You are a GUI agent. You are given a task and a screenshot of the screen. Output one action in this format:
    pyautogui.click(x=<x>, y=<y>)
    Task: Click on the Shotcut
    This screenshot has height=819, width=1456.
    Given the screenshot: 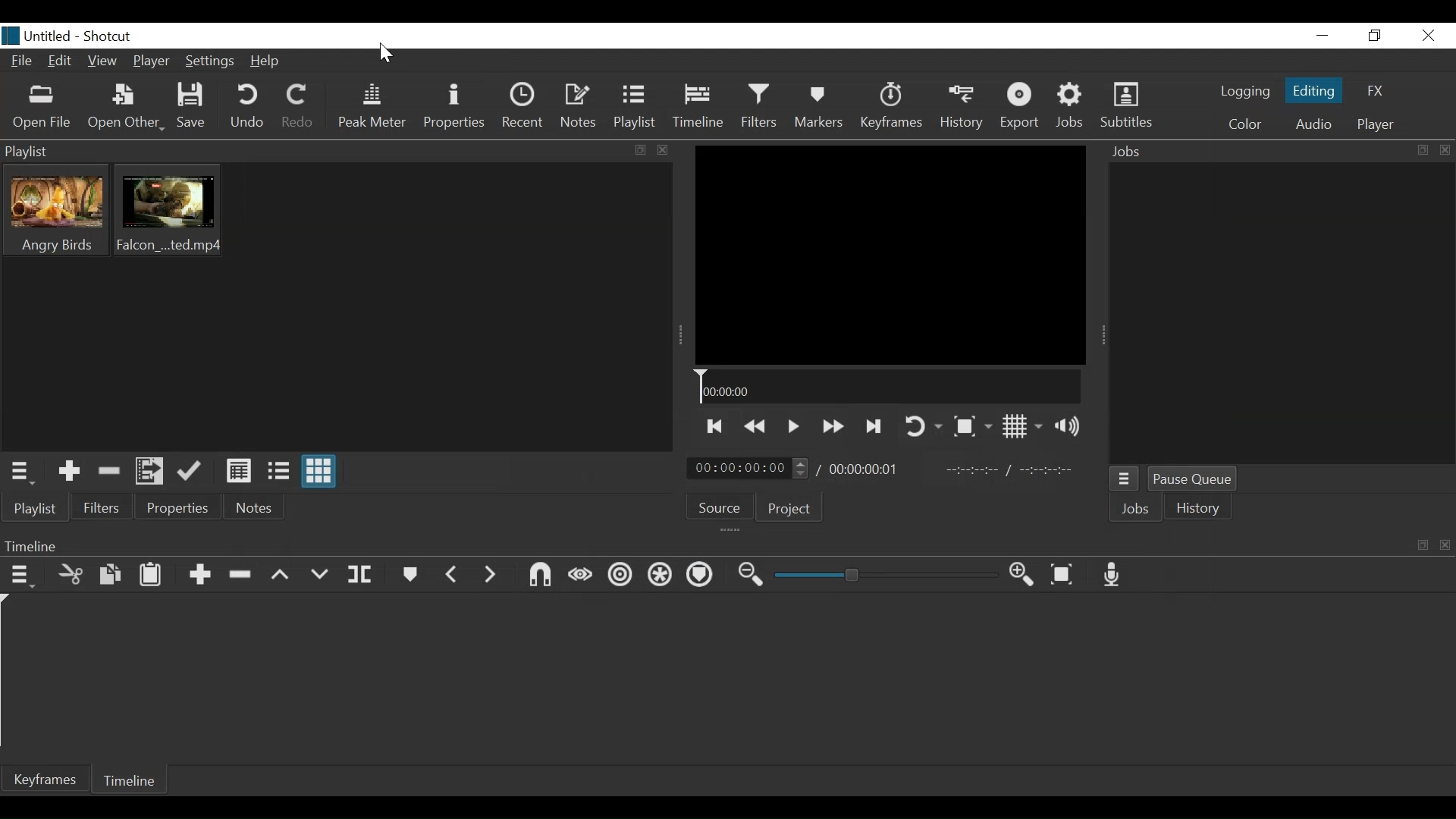 What is the action you would take?
    pyautogui.click(x=110, y=35)
    